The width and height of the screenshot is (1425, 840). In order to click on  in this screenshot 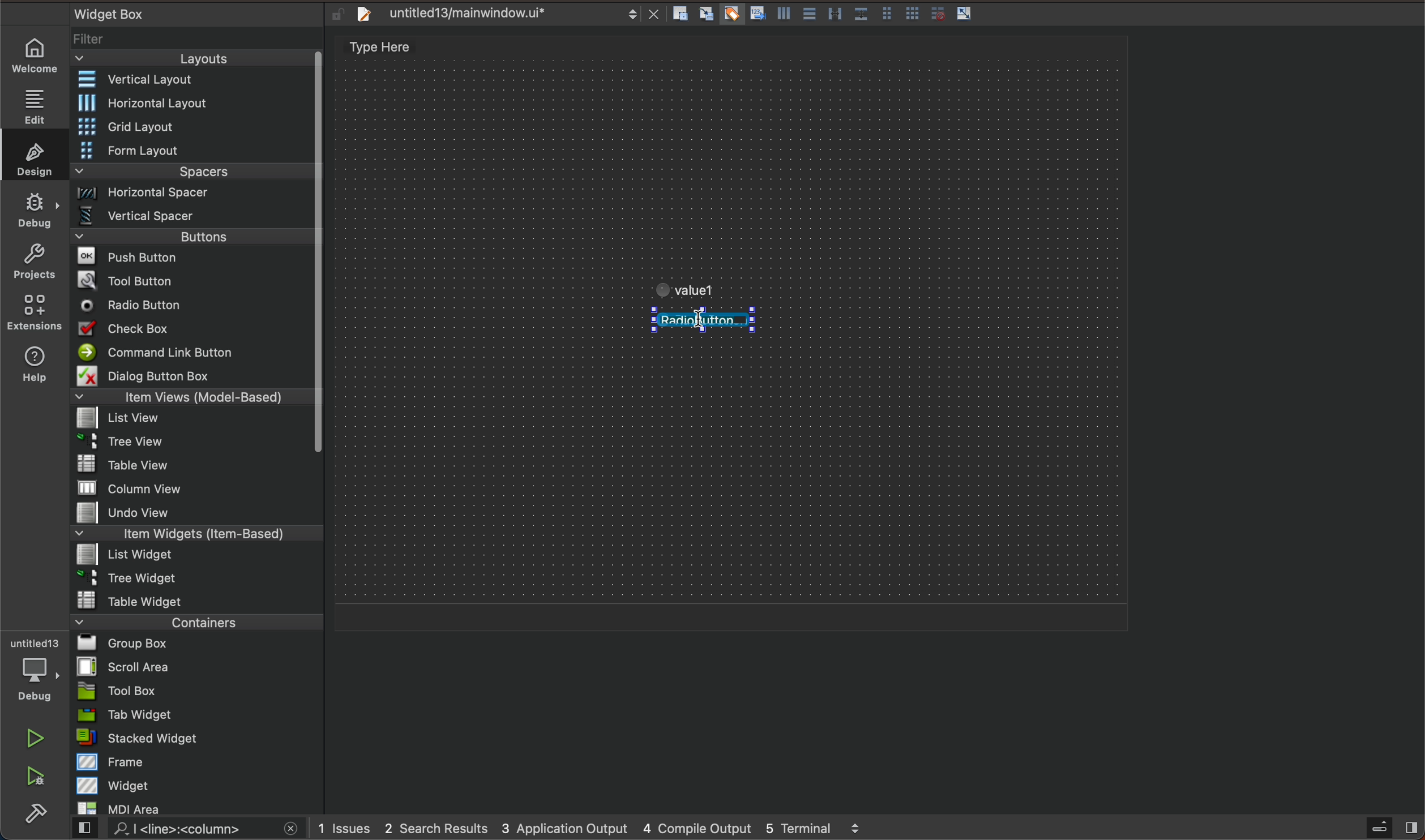, I will do `click(835, 15)`.